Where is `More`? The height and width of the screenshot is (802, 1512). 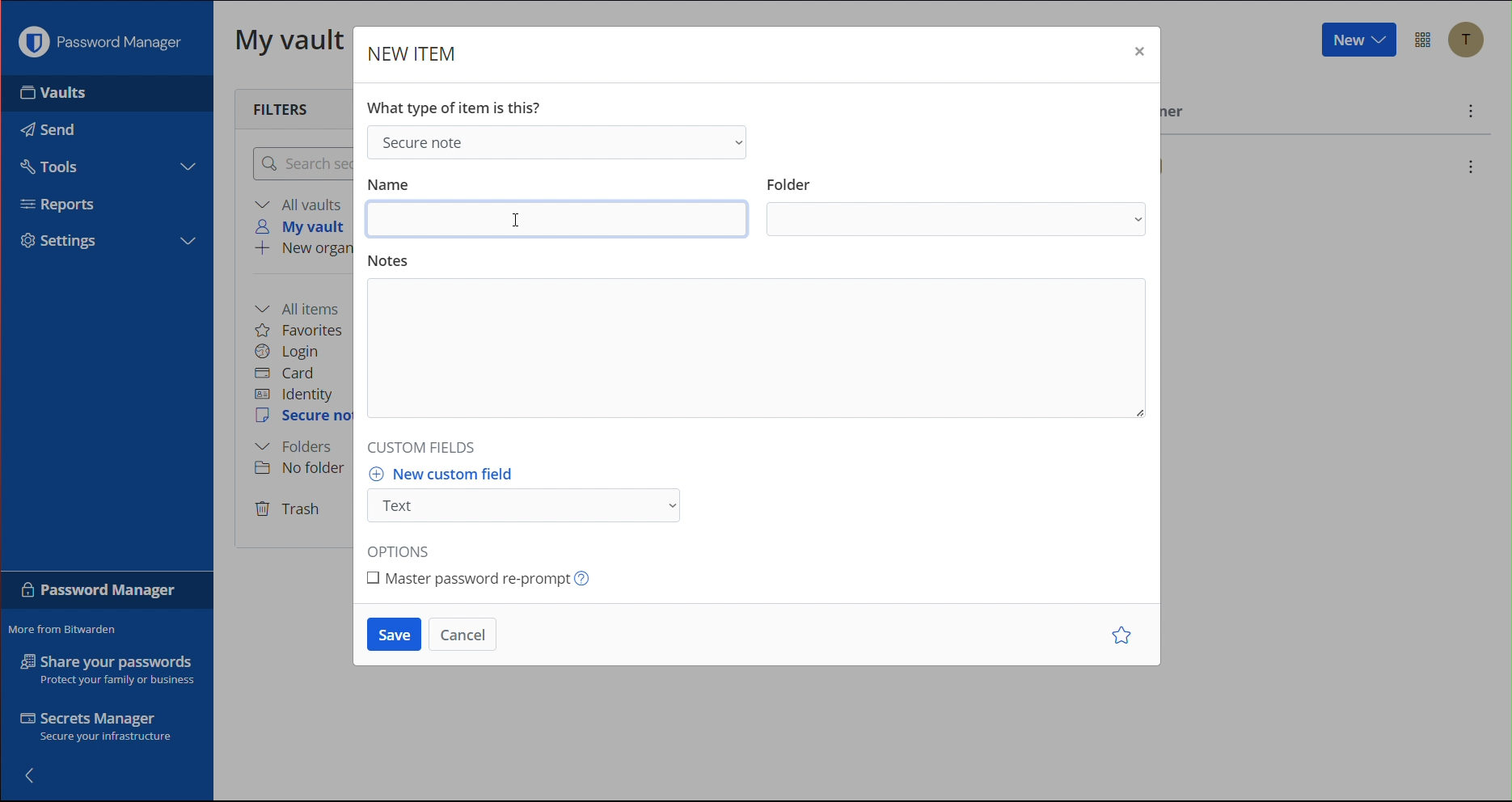 More is located at coordinates (1472, 113).